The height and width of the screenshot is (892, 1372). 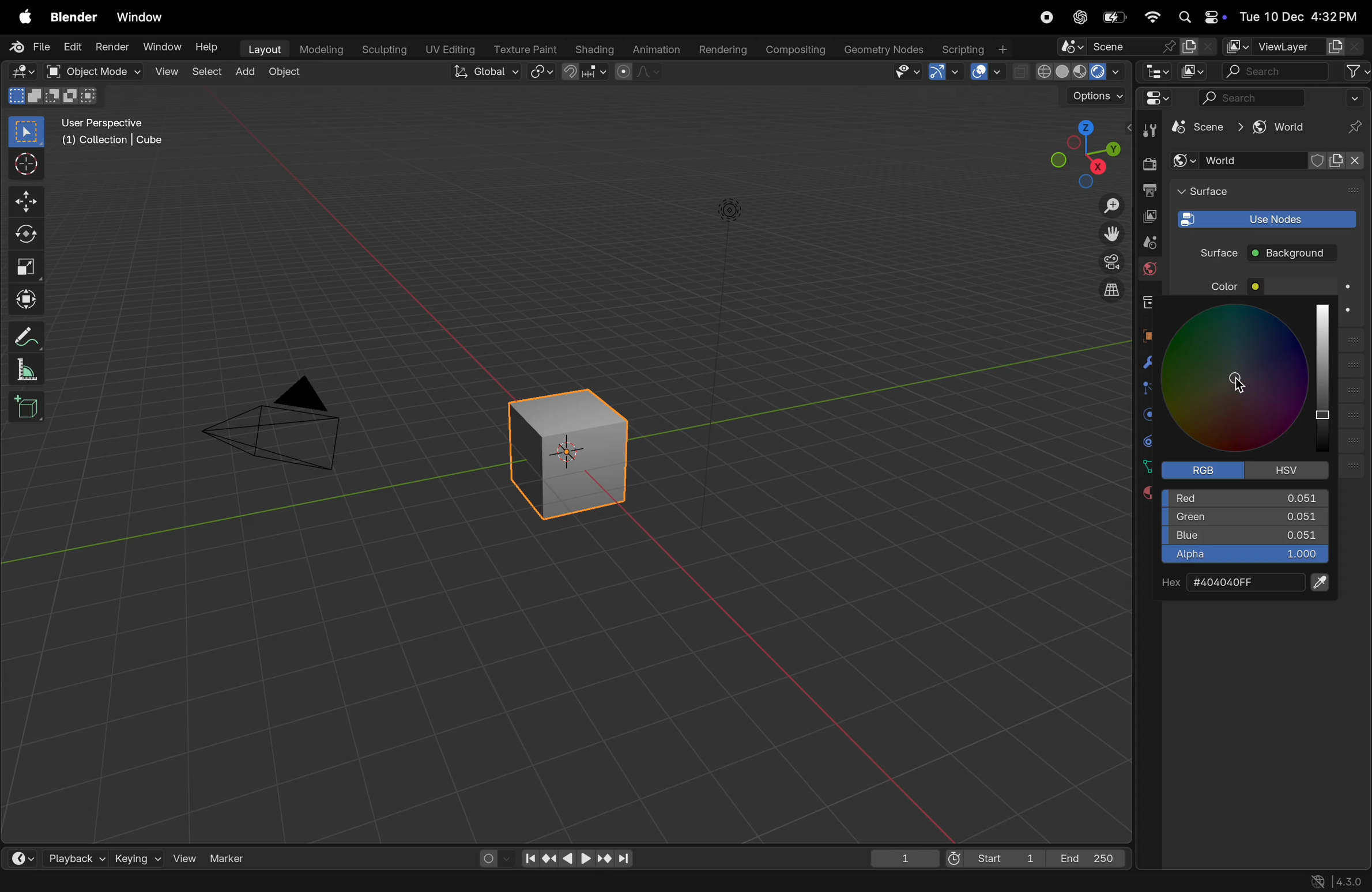 I want to click on data , so click(x=1144, y=466).